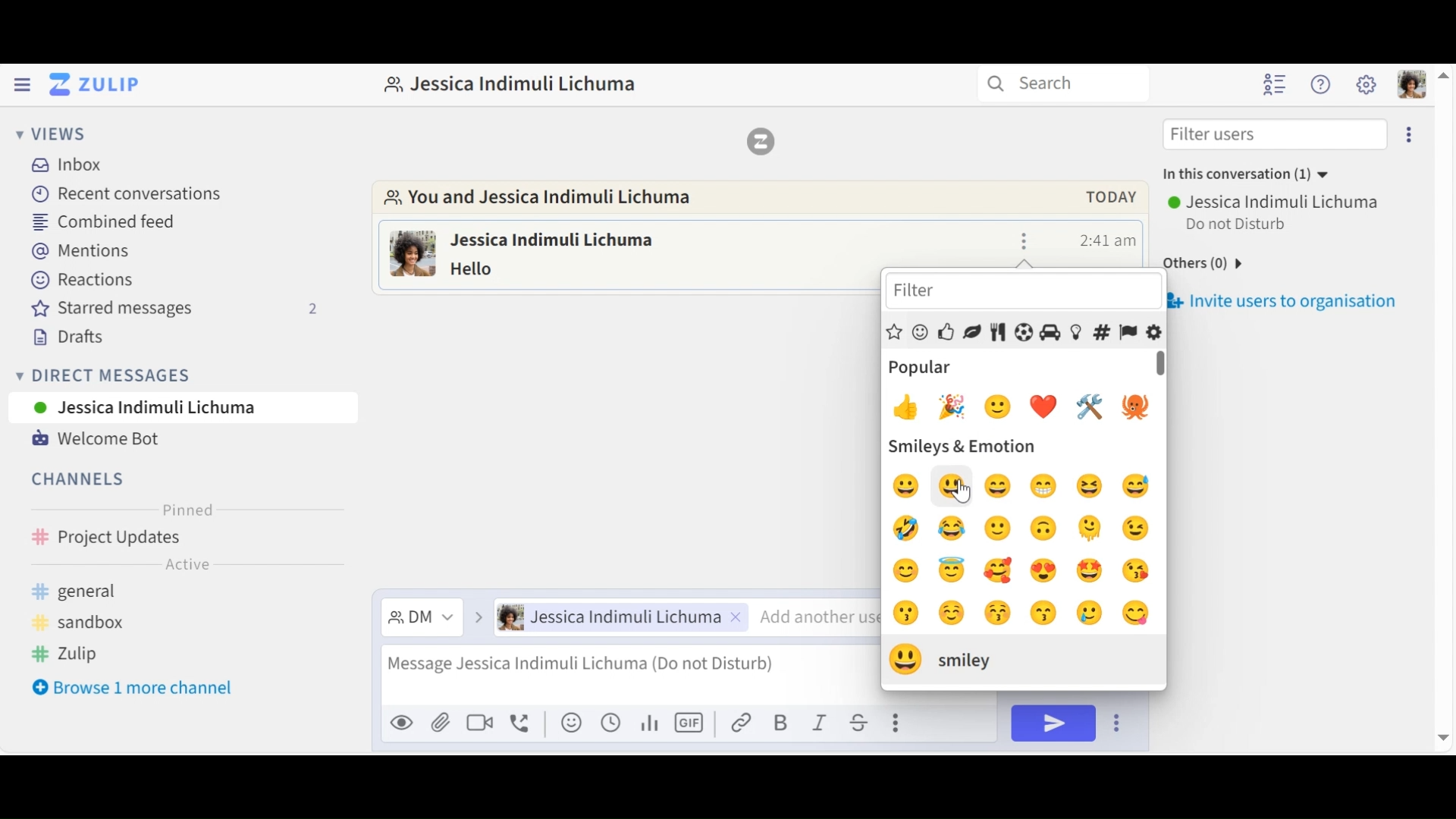  What do you see at coordinates (1000, 529) in the screenshot?
I see `smile` at bounding box center [1000, 529].